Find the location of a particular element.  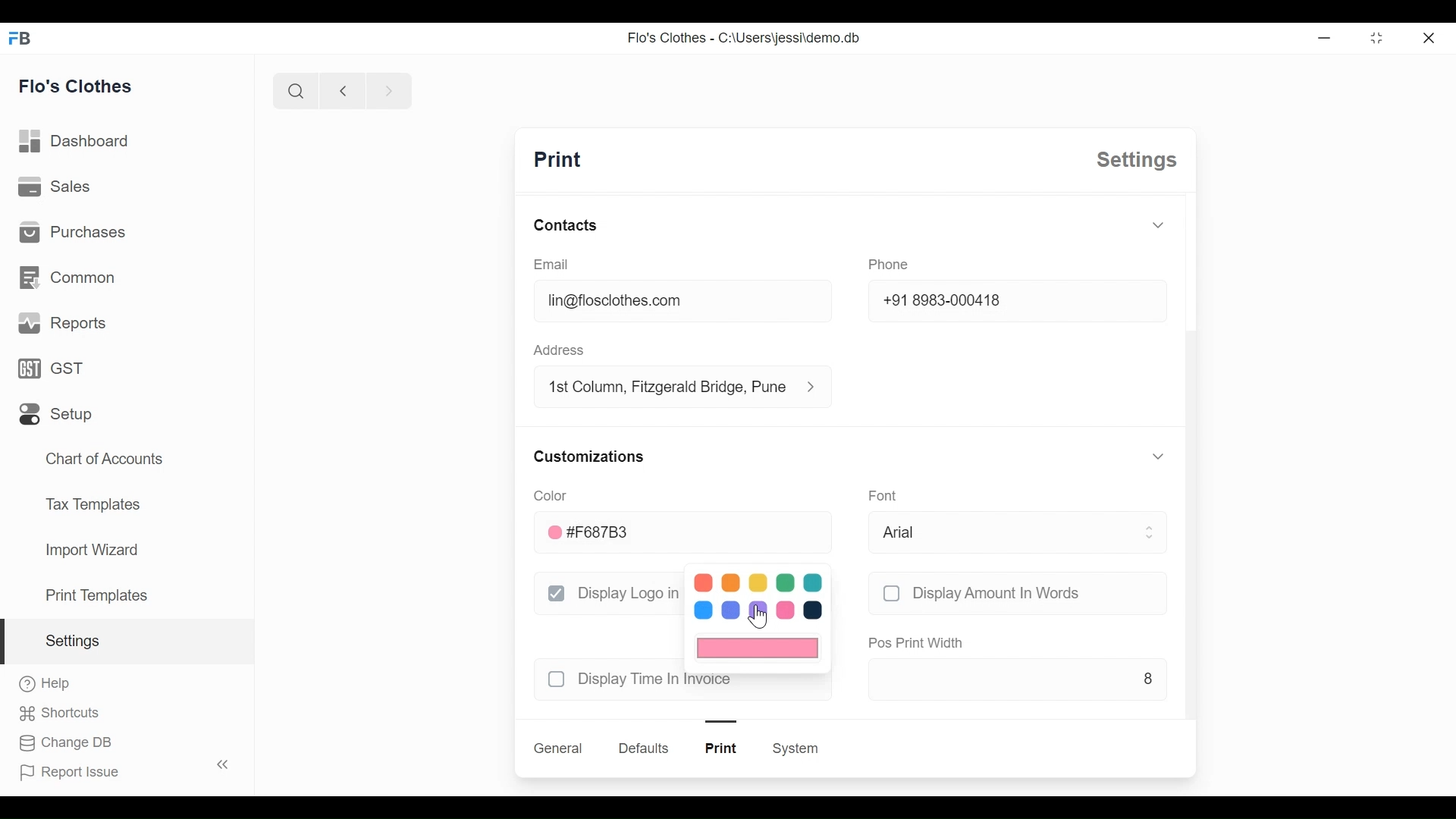

color 7 is located at coordinates (731, 610).